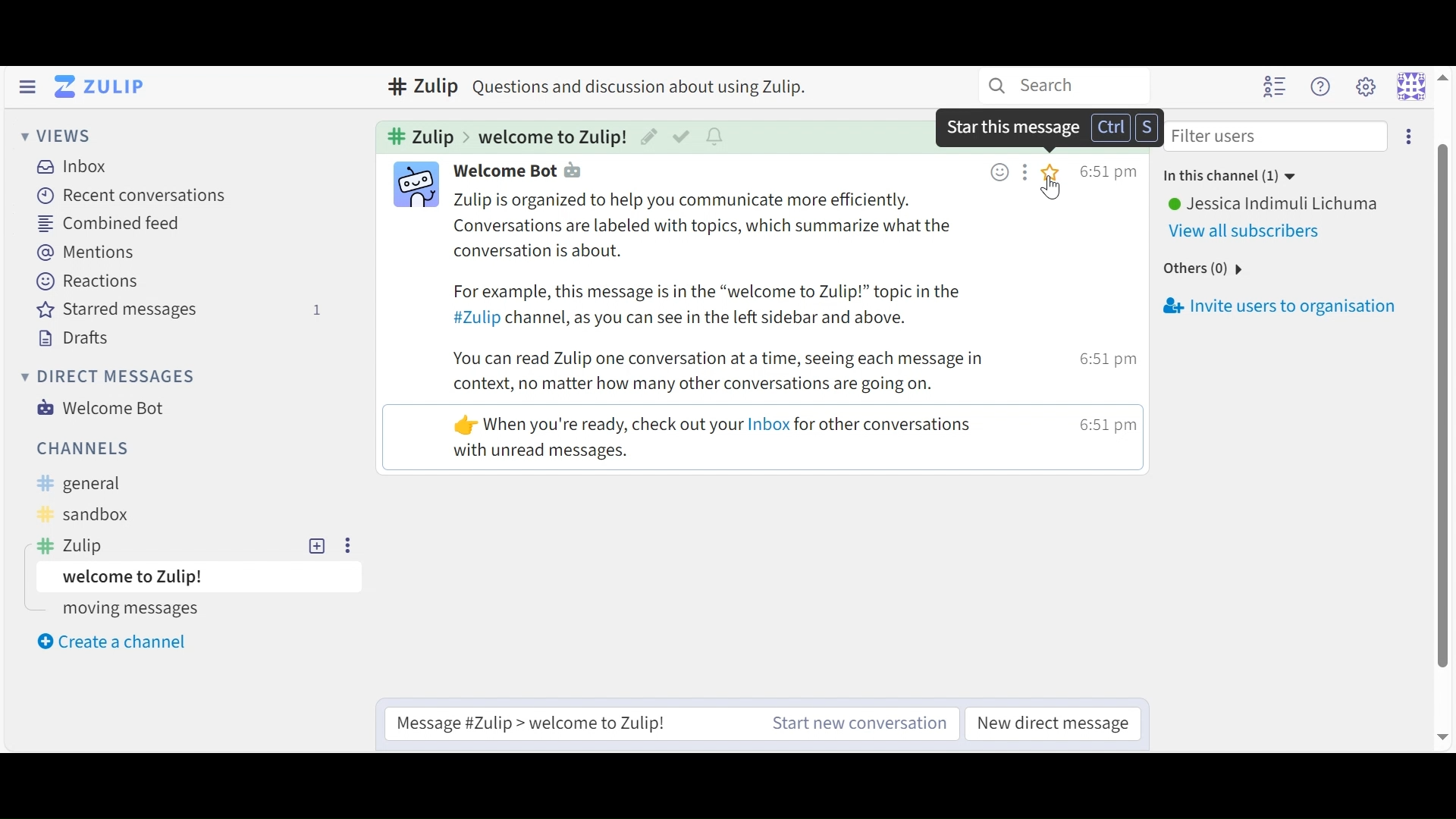  What do you see at coordinates (1447, 401) in the screenshot?
I see `scroll bar` at bounding box center [1447, 401].